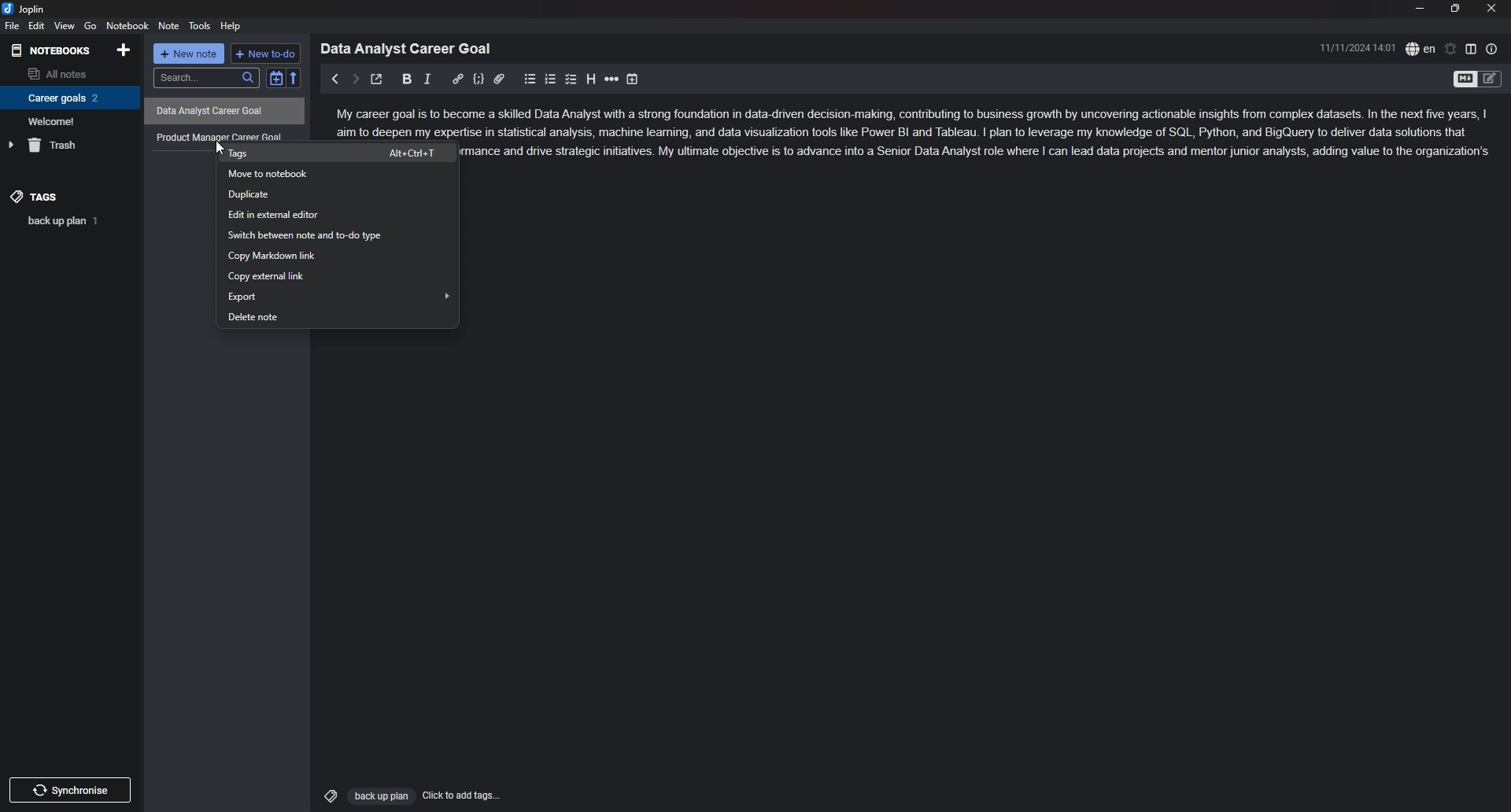 The height and width of the screenshot is (812, 1511). What do you see at coordinates (68, 145) in the screenshot?
I see `trash` at bounding box center [68, 145].